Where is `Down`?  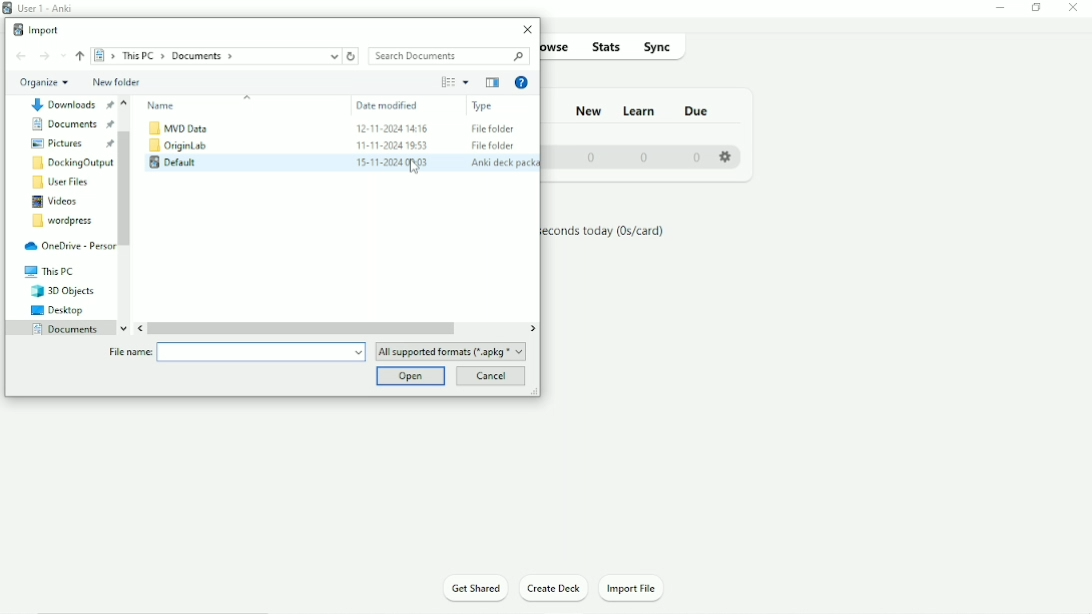
Down is located at coordinates (126, 326).